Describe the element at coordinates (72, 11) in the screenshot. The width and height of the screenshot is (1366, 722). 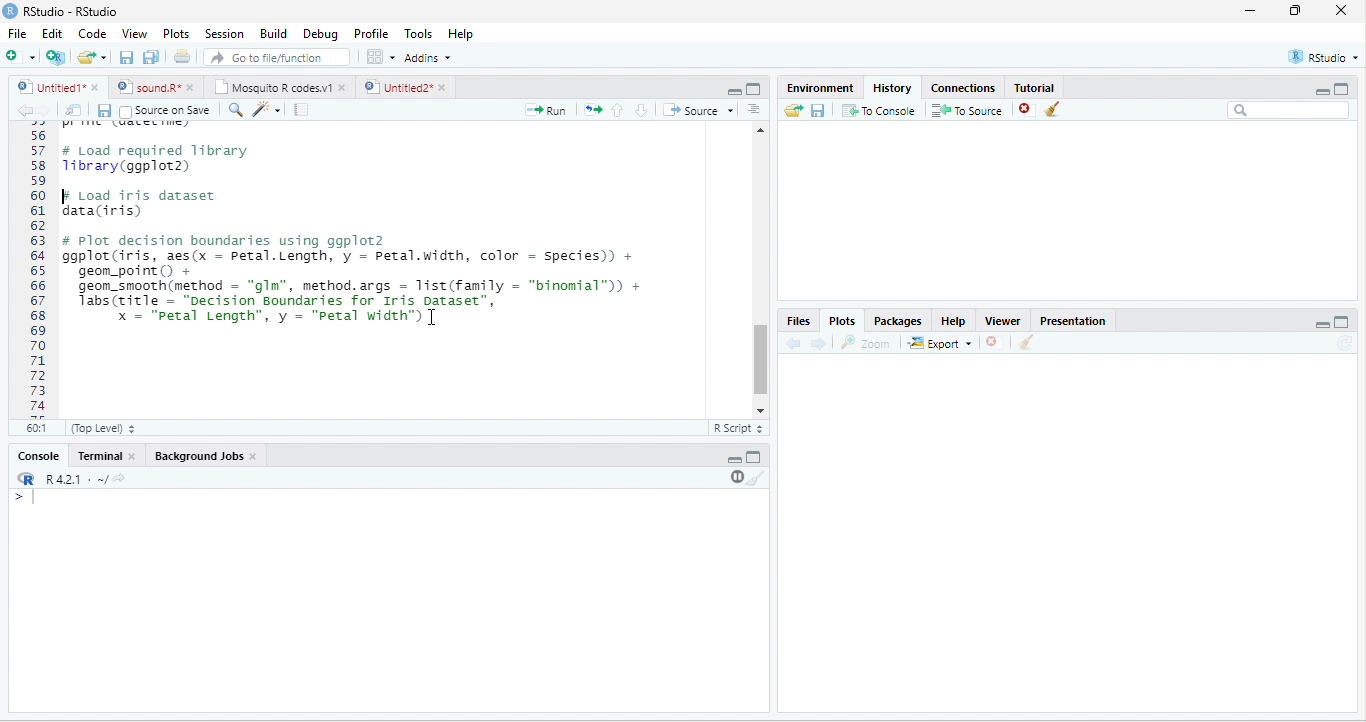
I see `RStudio-RStudio` at that location.